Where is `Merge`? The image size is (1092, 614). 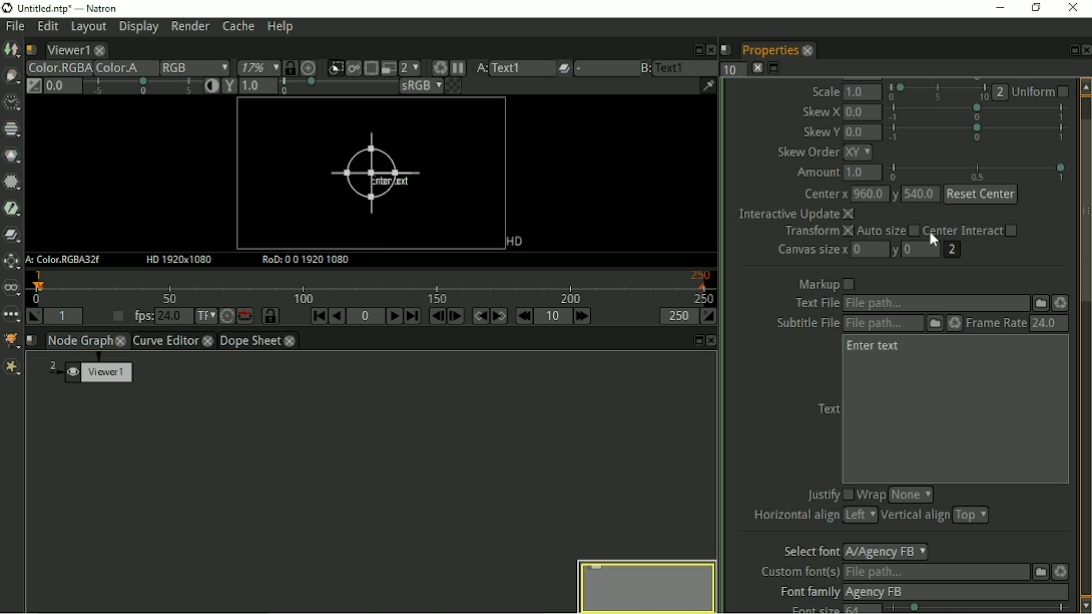 Merge is located at coordinates (13, 234).